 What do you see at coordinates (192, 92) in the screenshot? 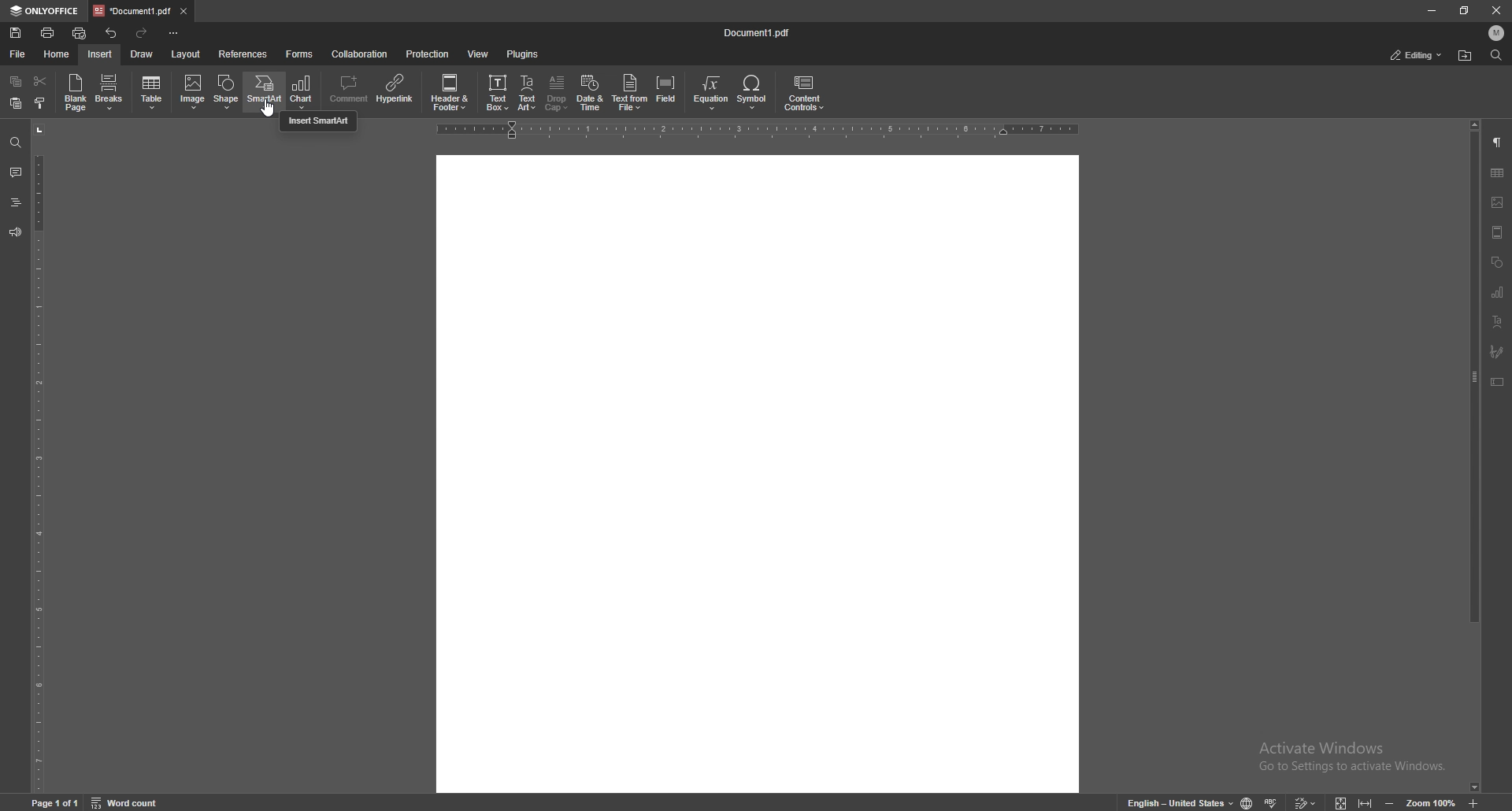
I see `image` at bounding box center [192, 92].